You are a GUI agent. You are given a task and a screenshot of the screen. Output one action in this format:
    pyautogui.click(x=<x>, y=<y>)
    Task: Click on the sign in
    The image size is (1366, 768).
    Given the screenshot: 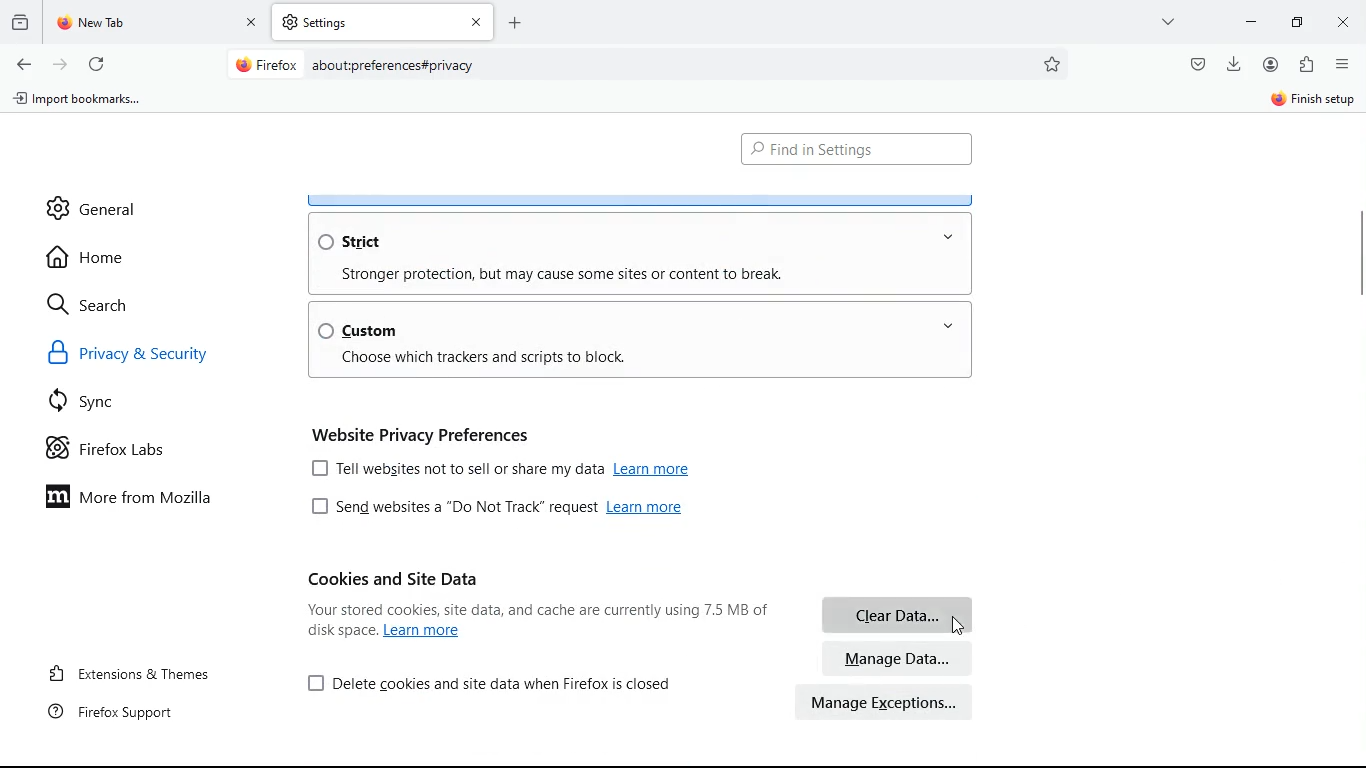 What is the action you would take?
    pyautogui.click(x=1311, y=101)
    